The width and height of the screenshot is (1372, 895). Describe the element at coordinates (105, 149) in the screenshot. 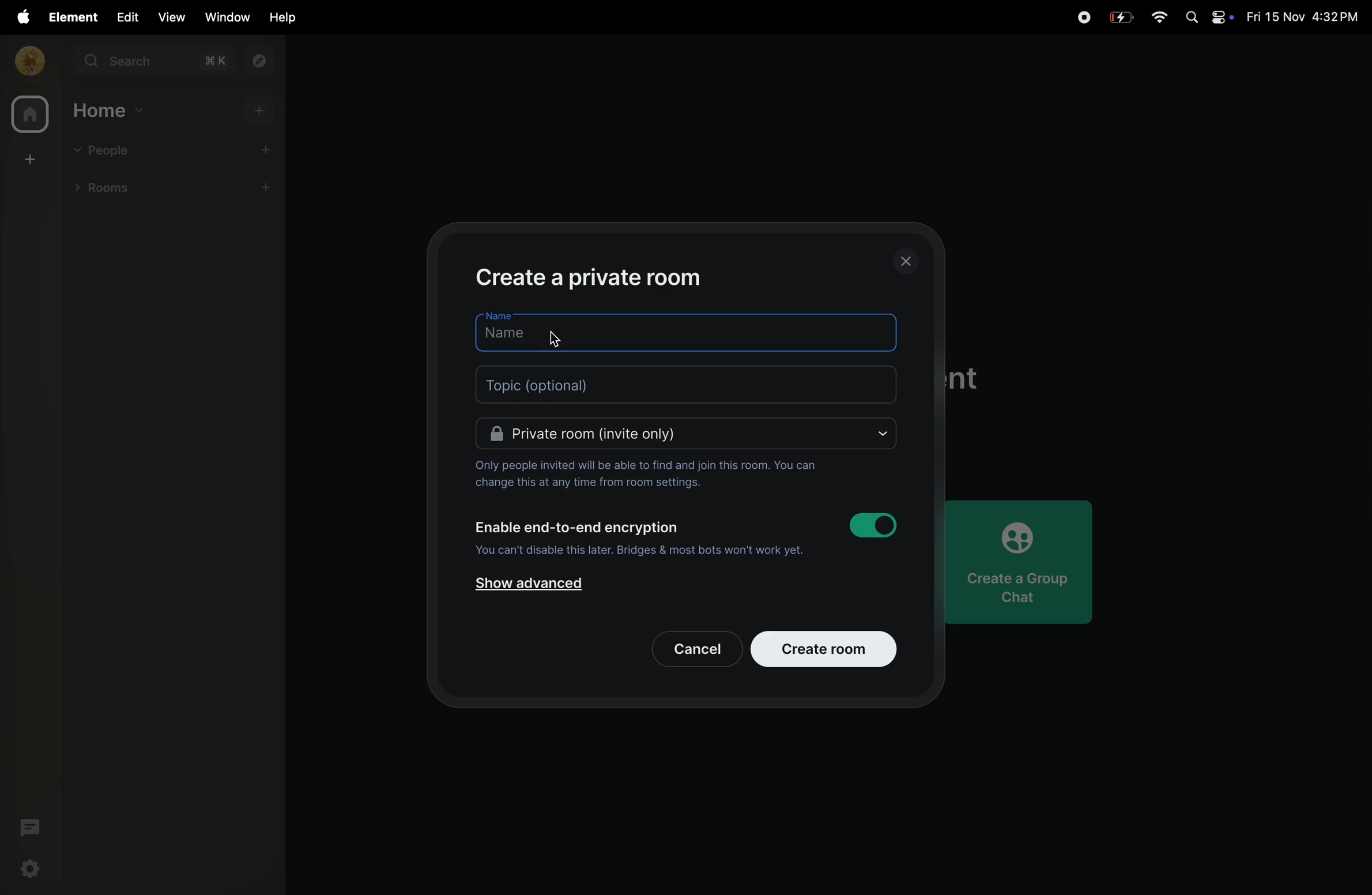

I see `people` at that location.